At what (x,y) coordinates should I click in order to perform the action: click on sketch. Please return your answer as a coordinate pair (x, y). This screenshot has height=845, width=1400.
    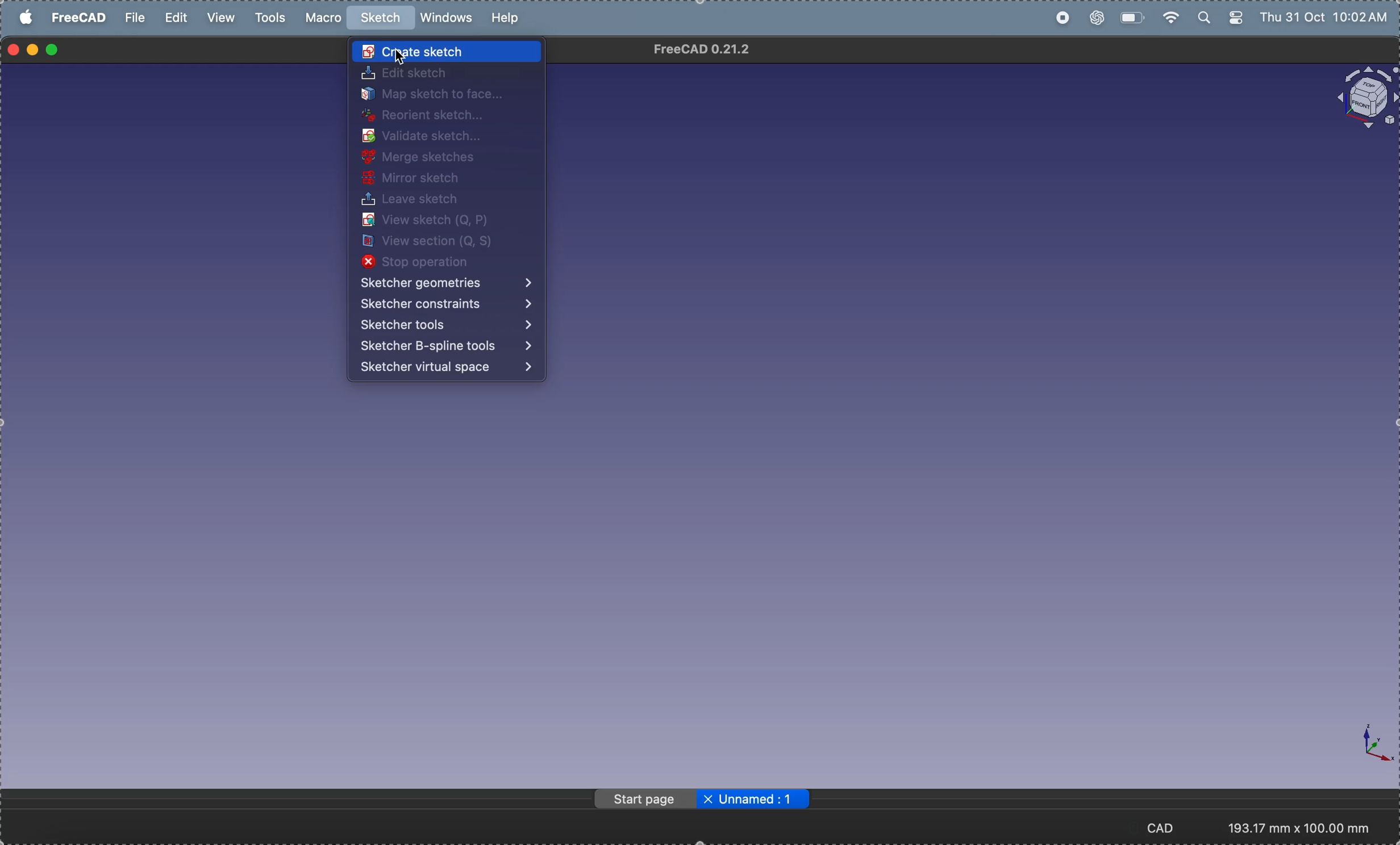
    Looking at the image, I should click on (383, 18).